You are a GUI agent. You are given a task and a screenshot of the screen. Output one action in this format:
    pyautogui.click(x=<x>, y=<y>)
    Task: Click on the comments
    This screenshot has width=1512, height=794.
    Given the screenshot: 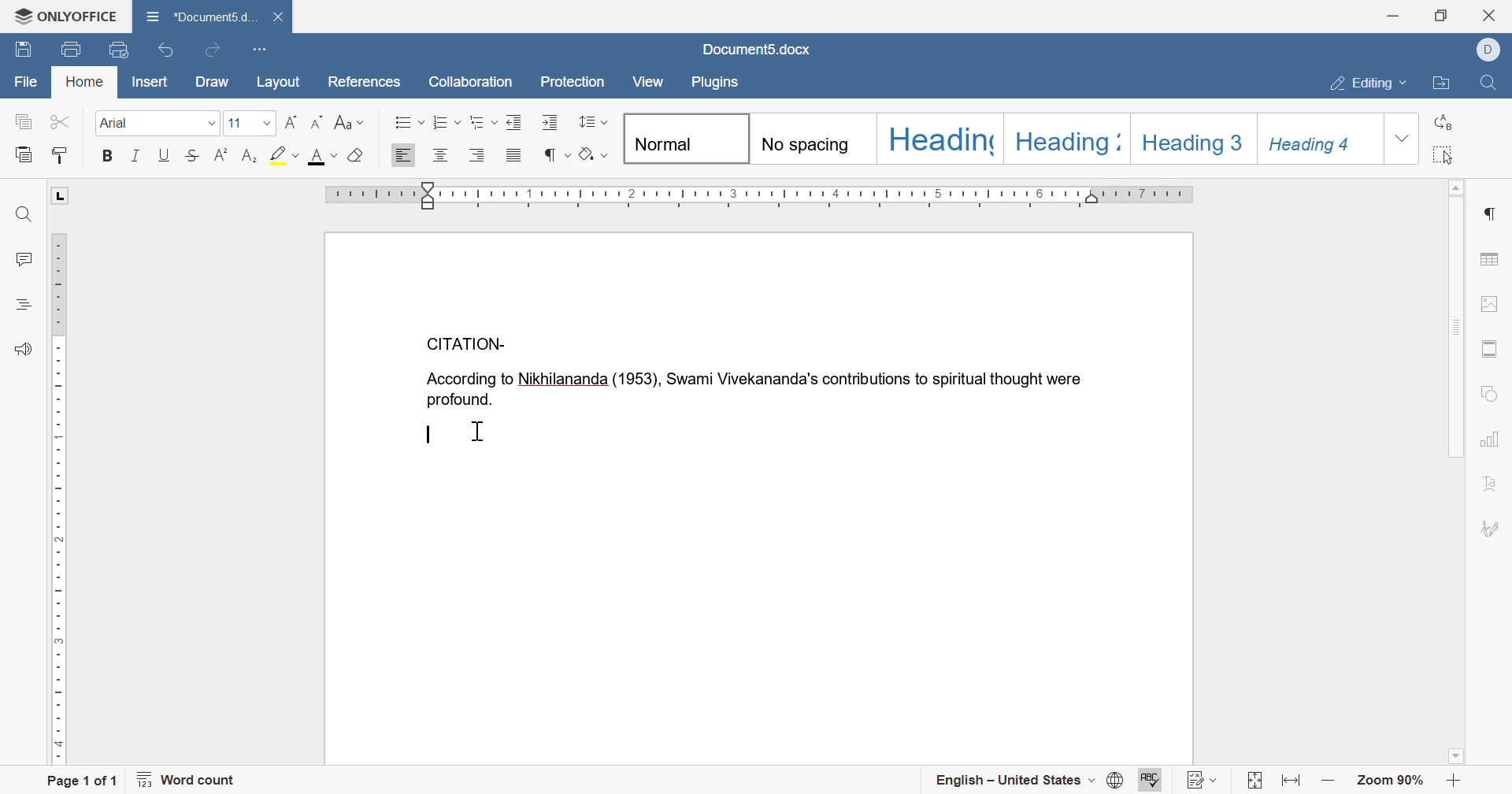 What is the action you would take?
    pyautogui.click(x=26, y=259)
    